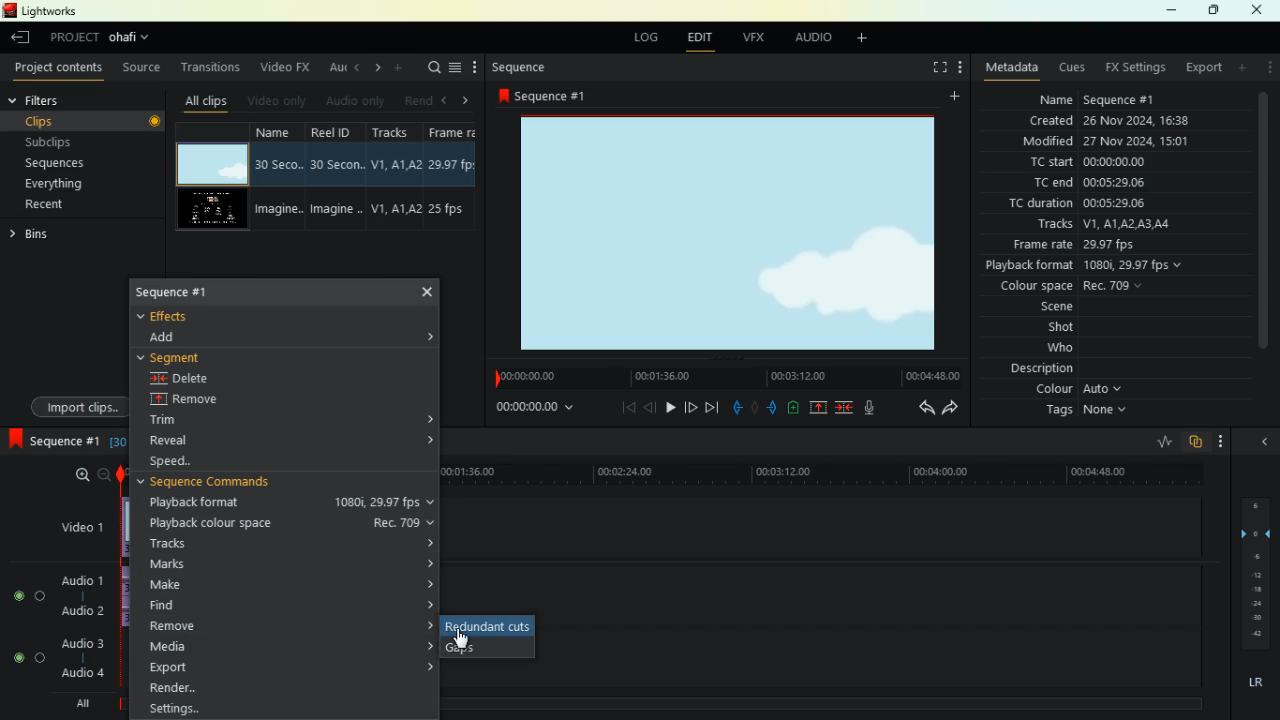 The width and height of the screenshot is (1280, 720). I want to click on videos, so click(215, 207).